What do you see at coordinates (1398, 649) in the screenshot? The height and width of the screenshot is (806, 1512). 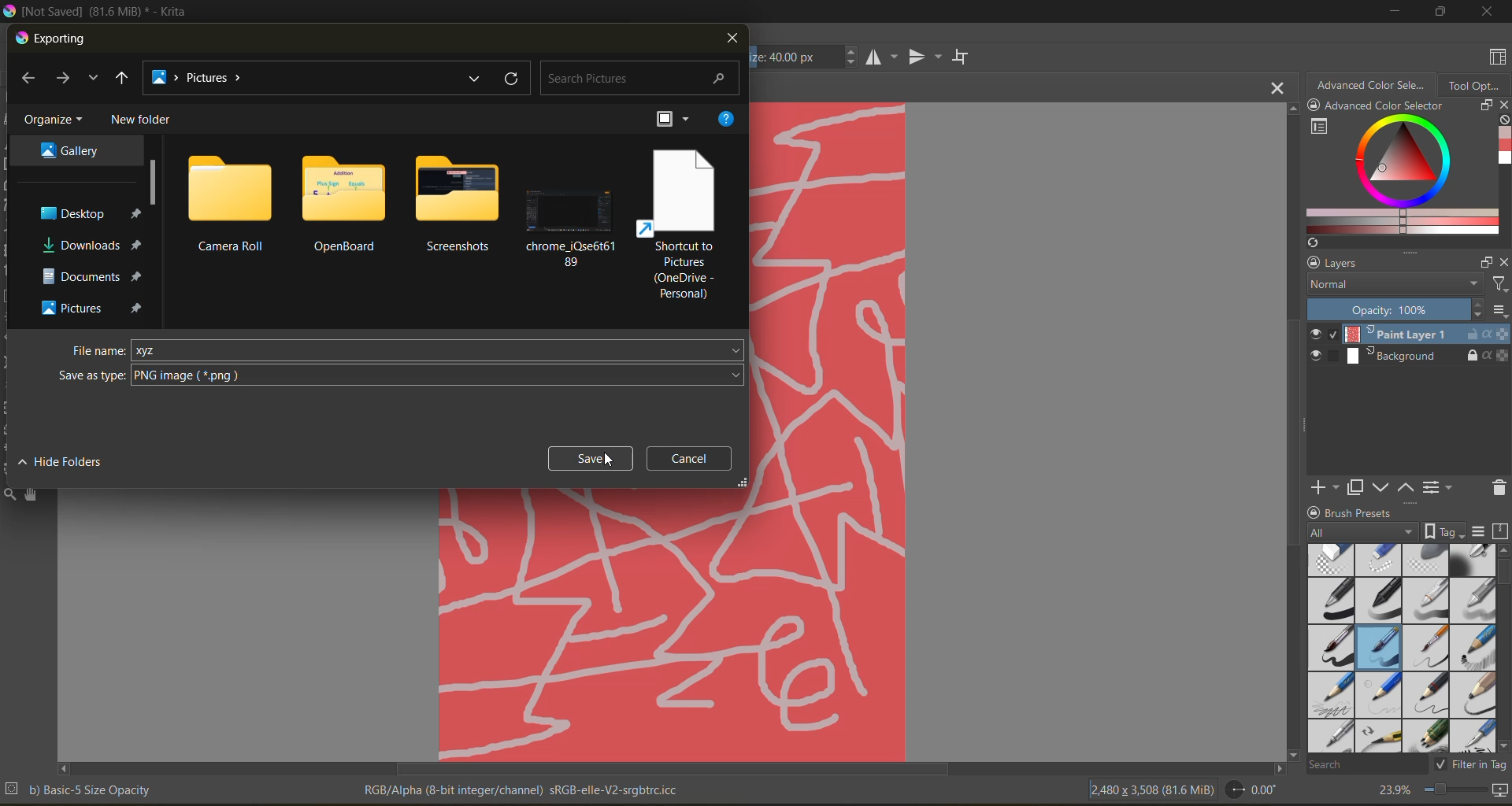 I see `brush presets` at bounding box center [1398, 649].